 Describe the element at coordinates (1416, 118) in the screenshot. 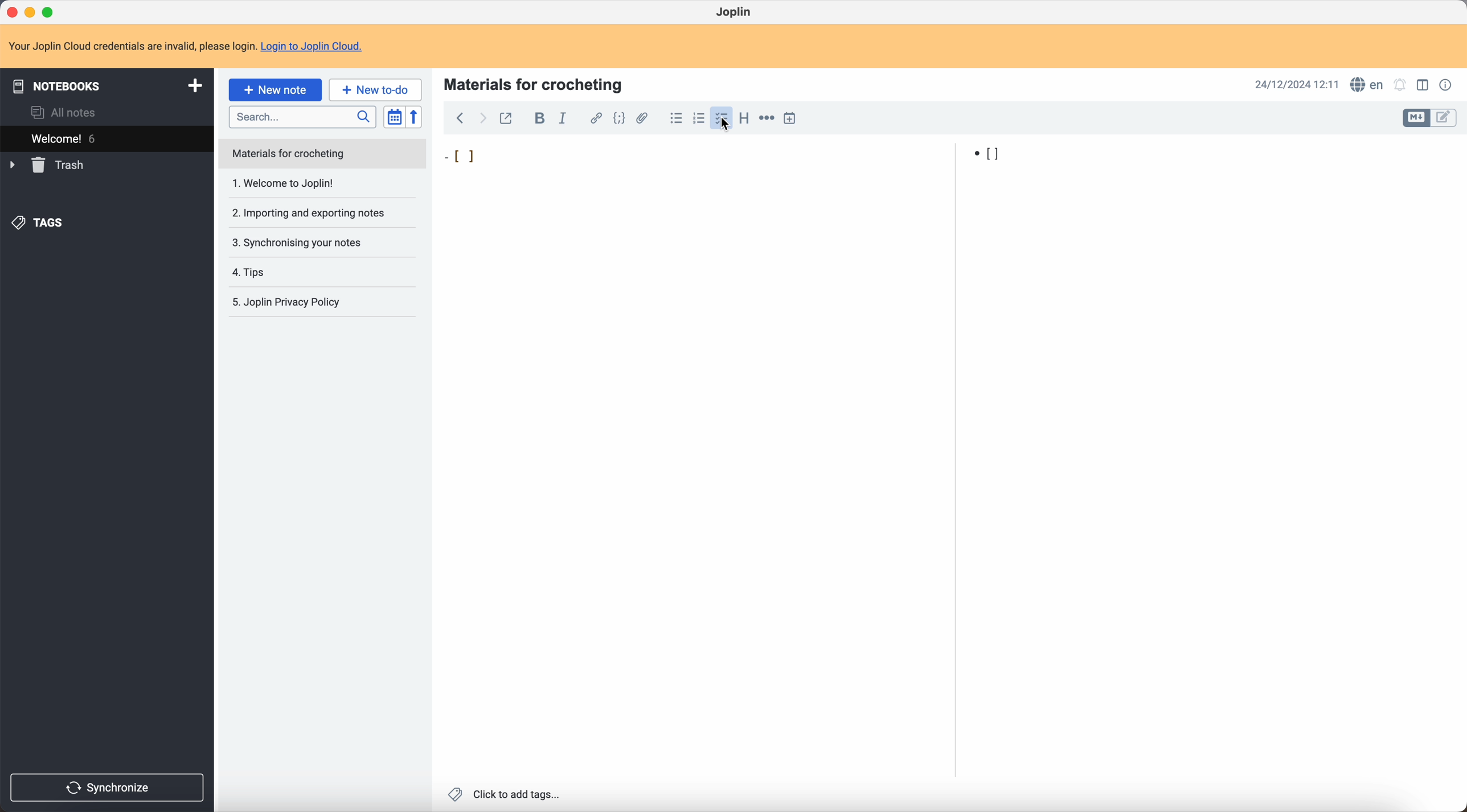

I see `toggle edit layout` at that location.